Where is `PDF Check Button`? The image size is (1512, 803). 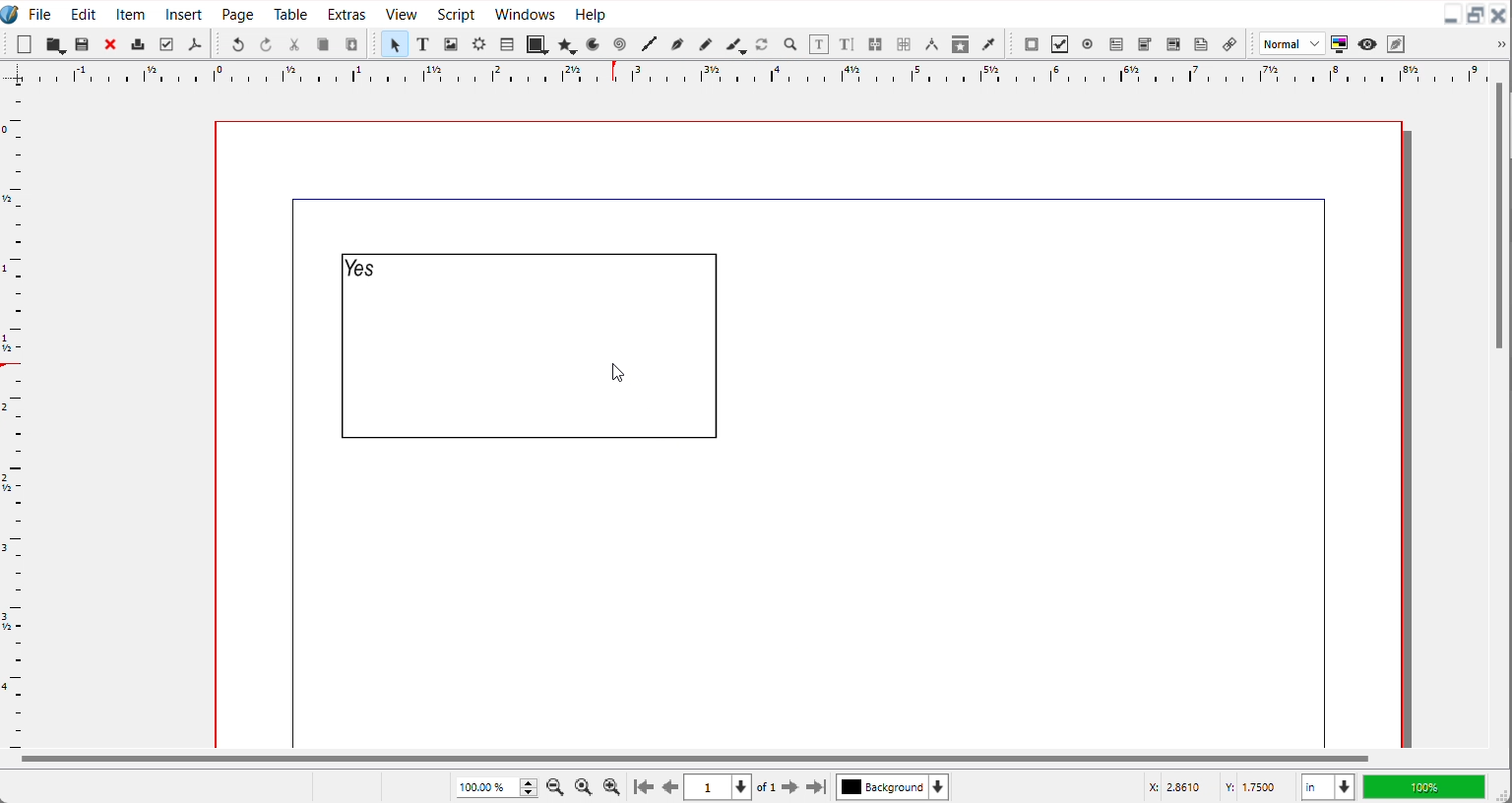 PDF Check Button is located at coordinates (1059, 44).